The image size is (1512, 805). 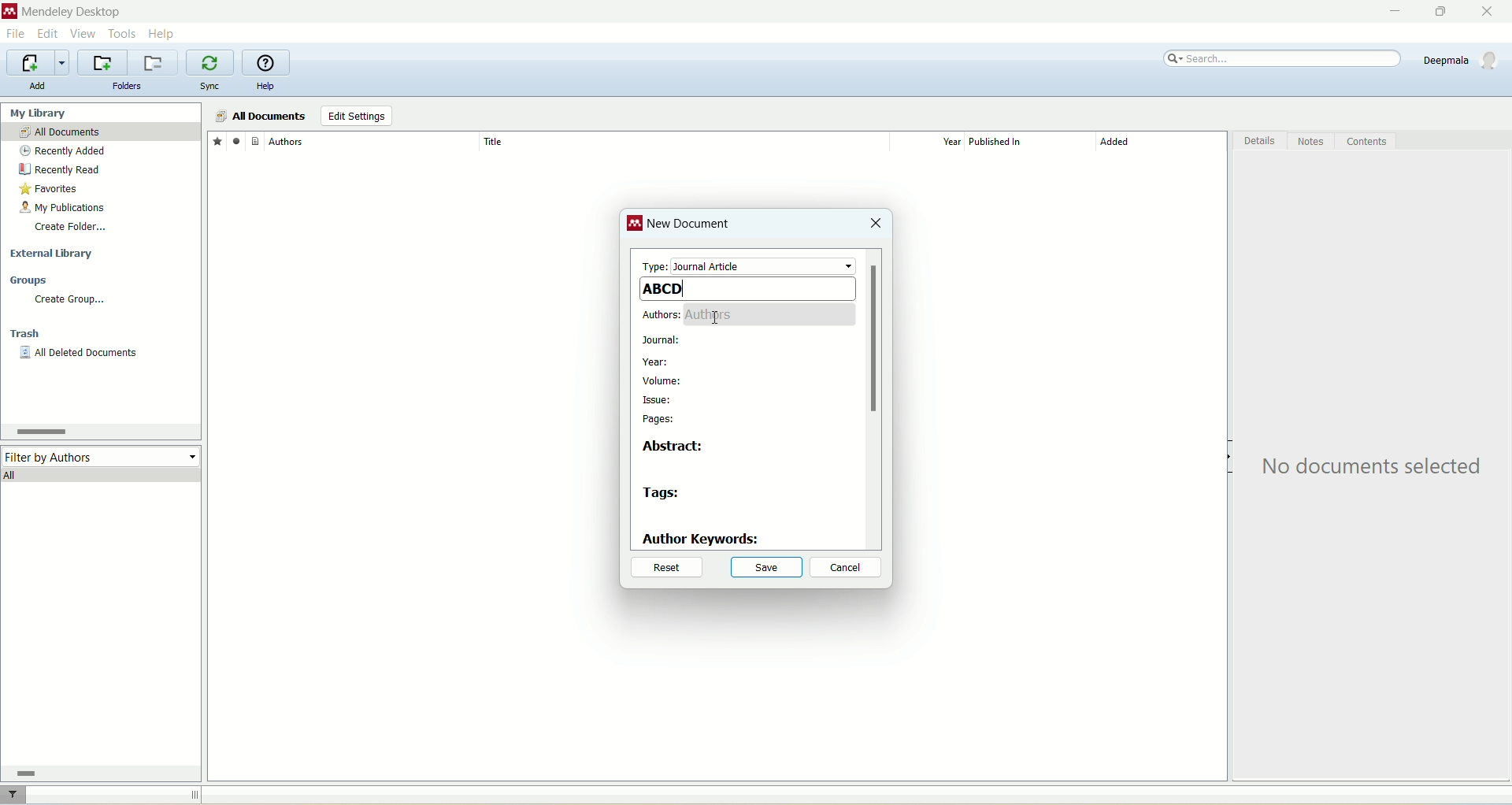 I want to click on volume, so click(x=667, y=380).